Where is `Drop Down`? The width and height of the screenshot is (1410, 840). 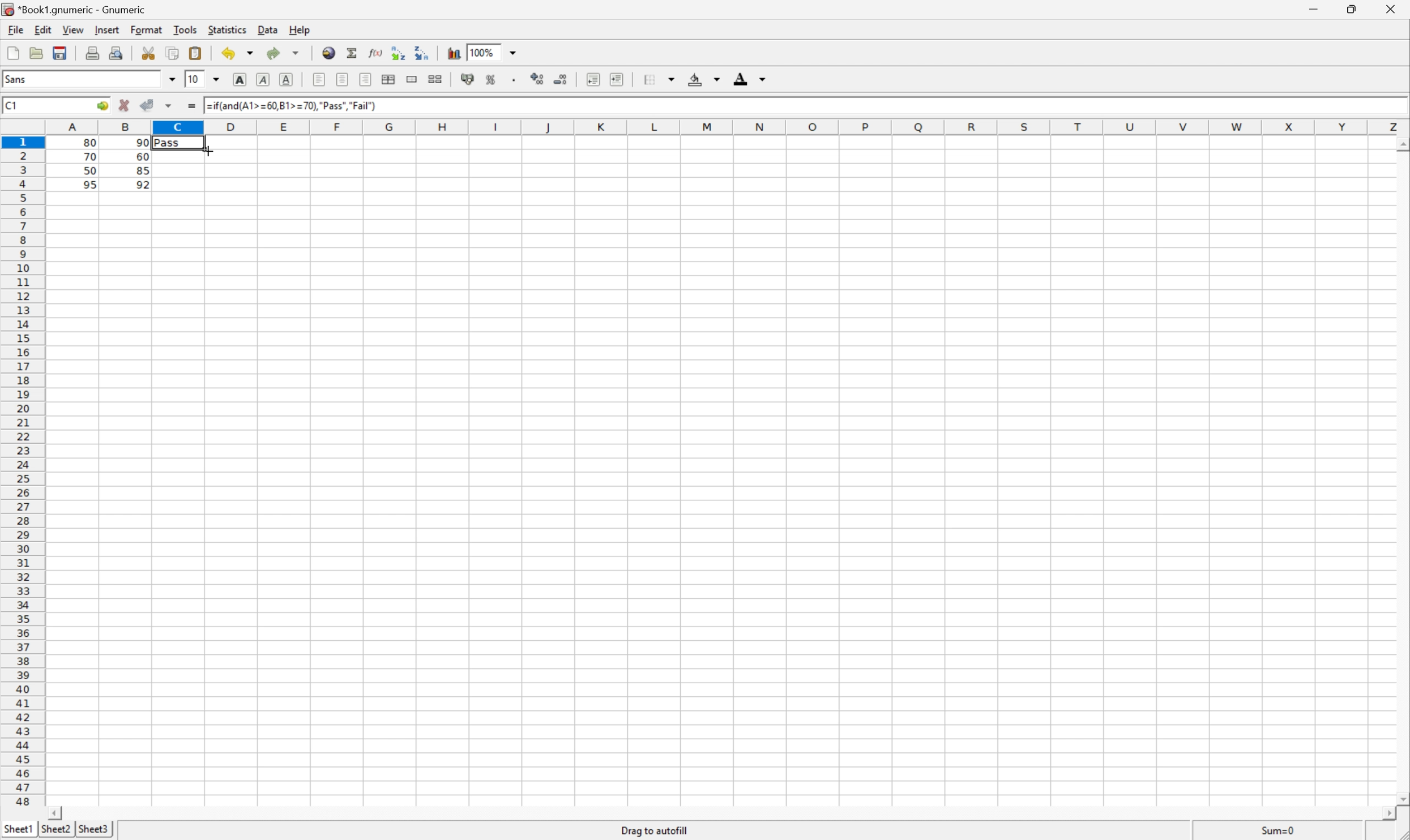 Drop Down is located at coordinates (296, 50).